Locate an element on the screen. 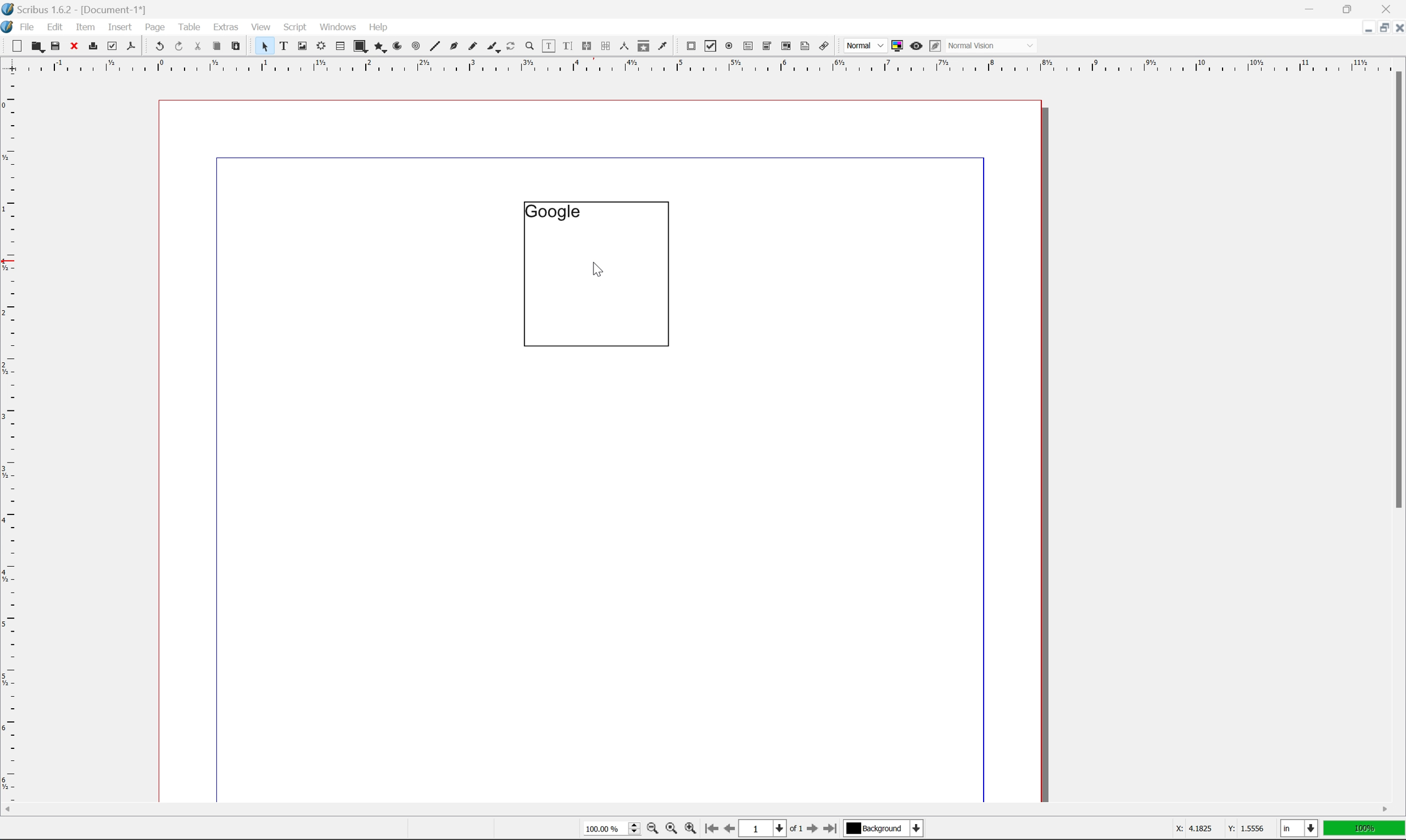 The image size is (1406, 840). copy is located at coordinates (219, 47).